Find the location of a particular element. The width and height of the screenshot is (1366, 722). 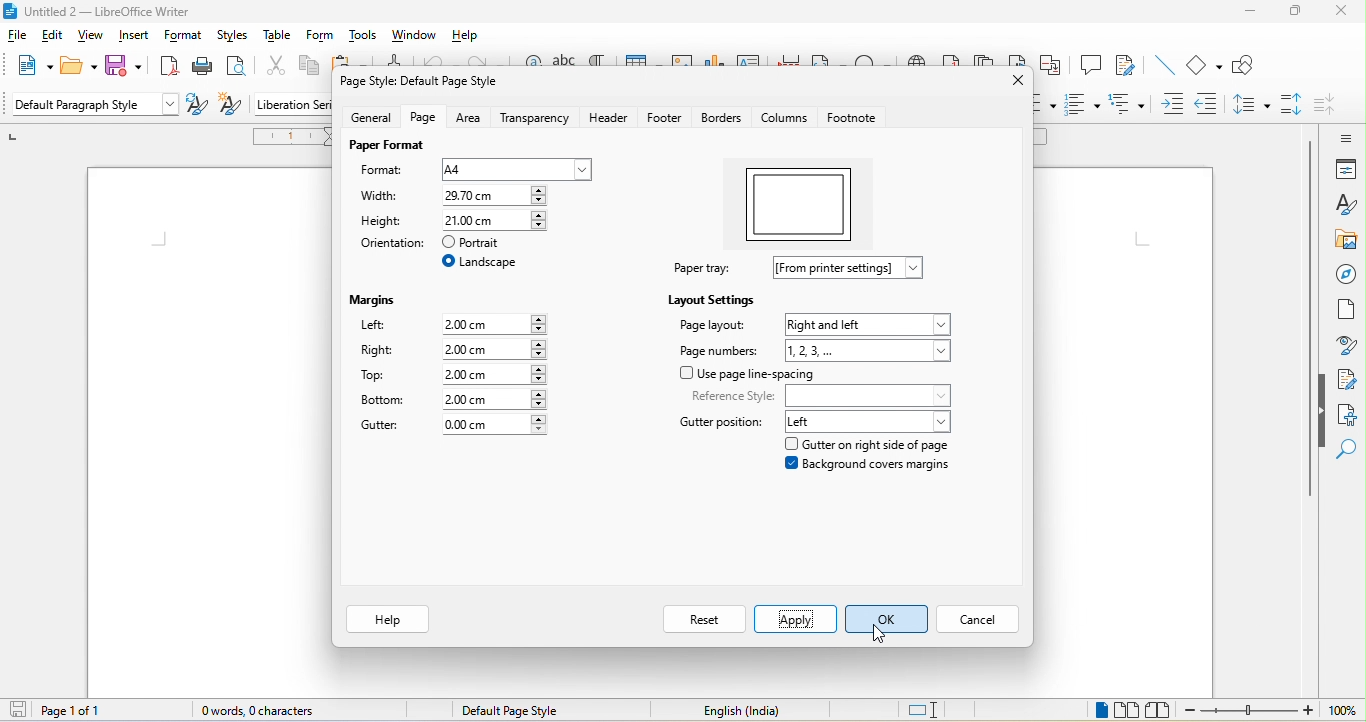

0.00 cm is located at coordinates (492, 425).